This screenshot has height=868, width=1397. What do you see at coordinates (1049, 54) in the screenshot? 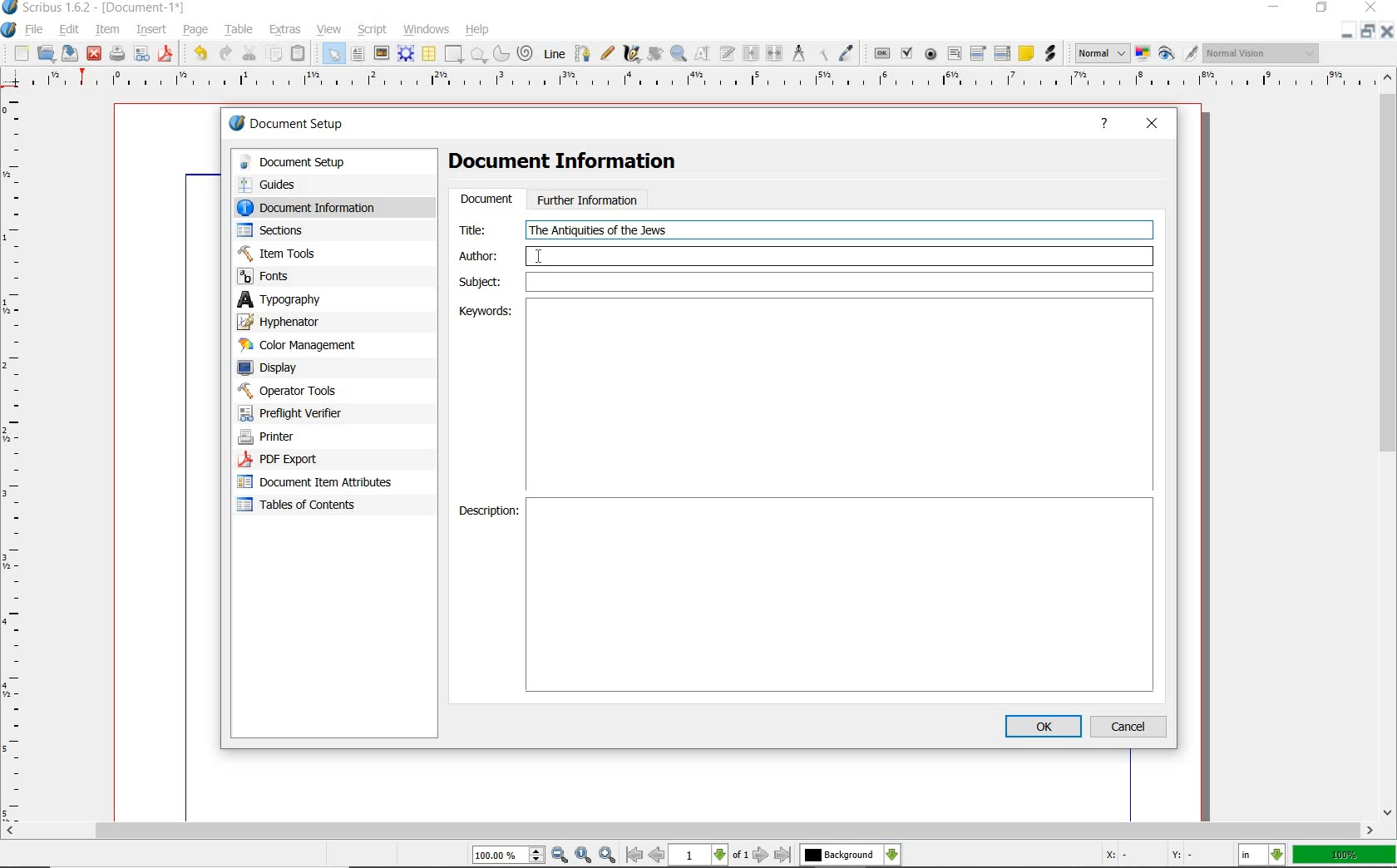
I see `link annotation` at bounding box center [1049, 54].